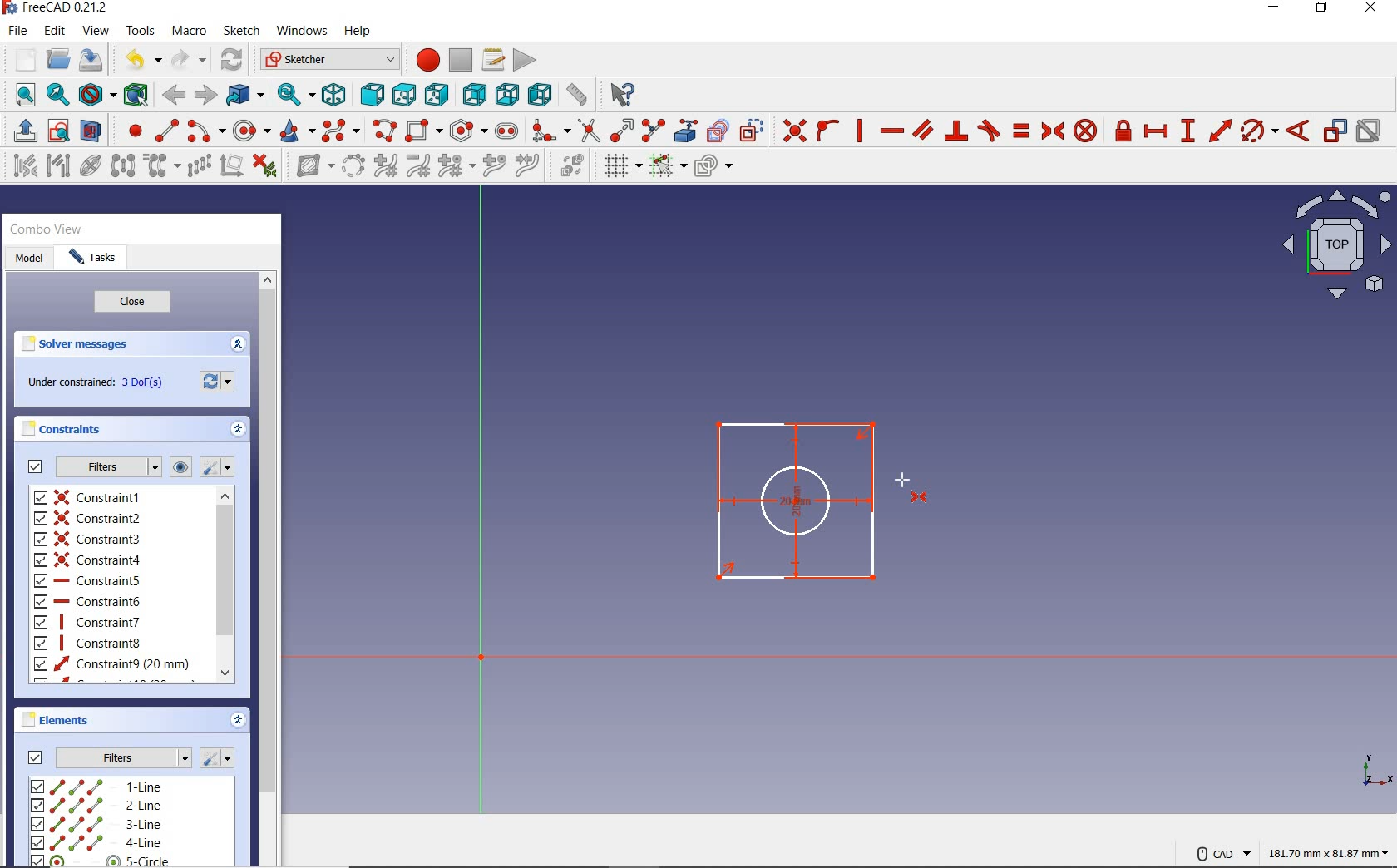 The width and height of the screenshot is (1397, 868). I want to click on constraint2, so click(88, 518).